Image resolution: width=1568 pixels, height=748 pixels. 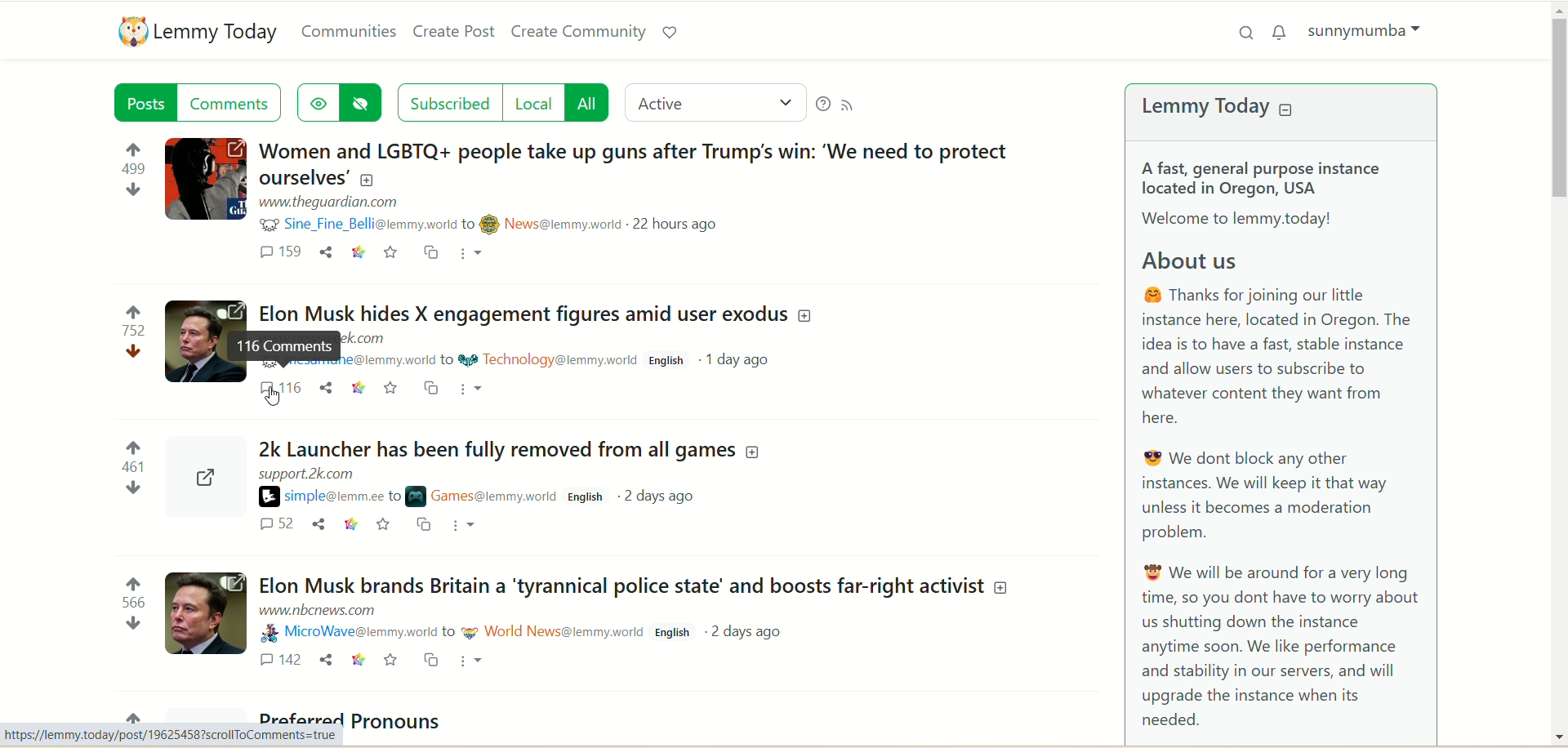 What do you see at coordinates (1558, 373) in the screenshot?
I see `vertical scroll bar` at bounding box center [1558, 373].